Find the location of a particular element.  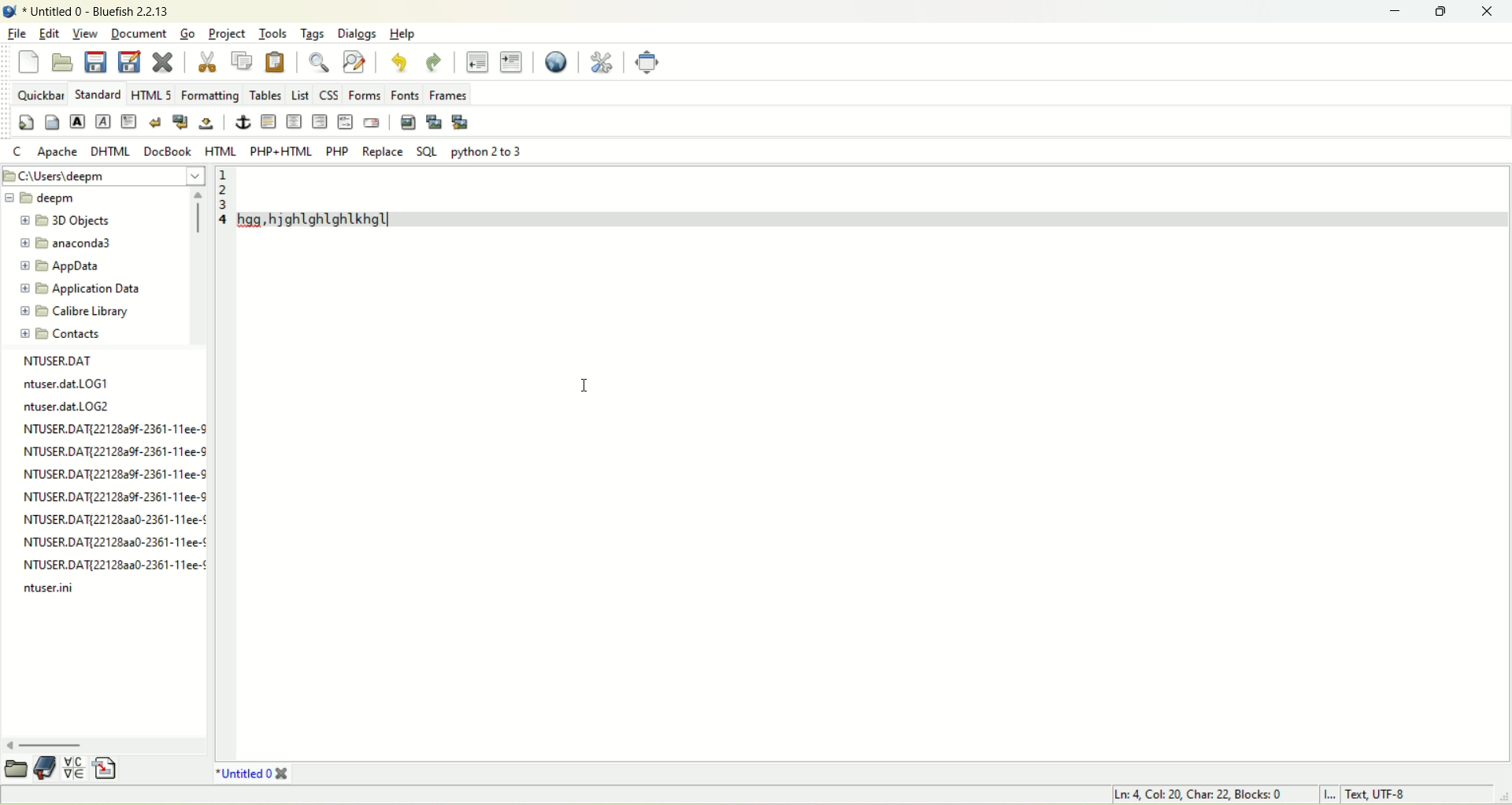

document name is located at coordinates (102, 12).